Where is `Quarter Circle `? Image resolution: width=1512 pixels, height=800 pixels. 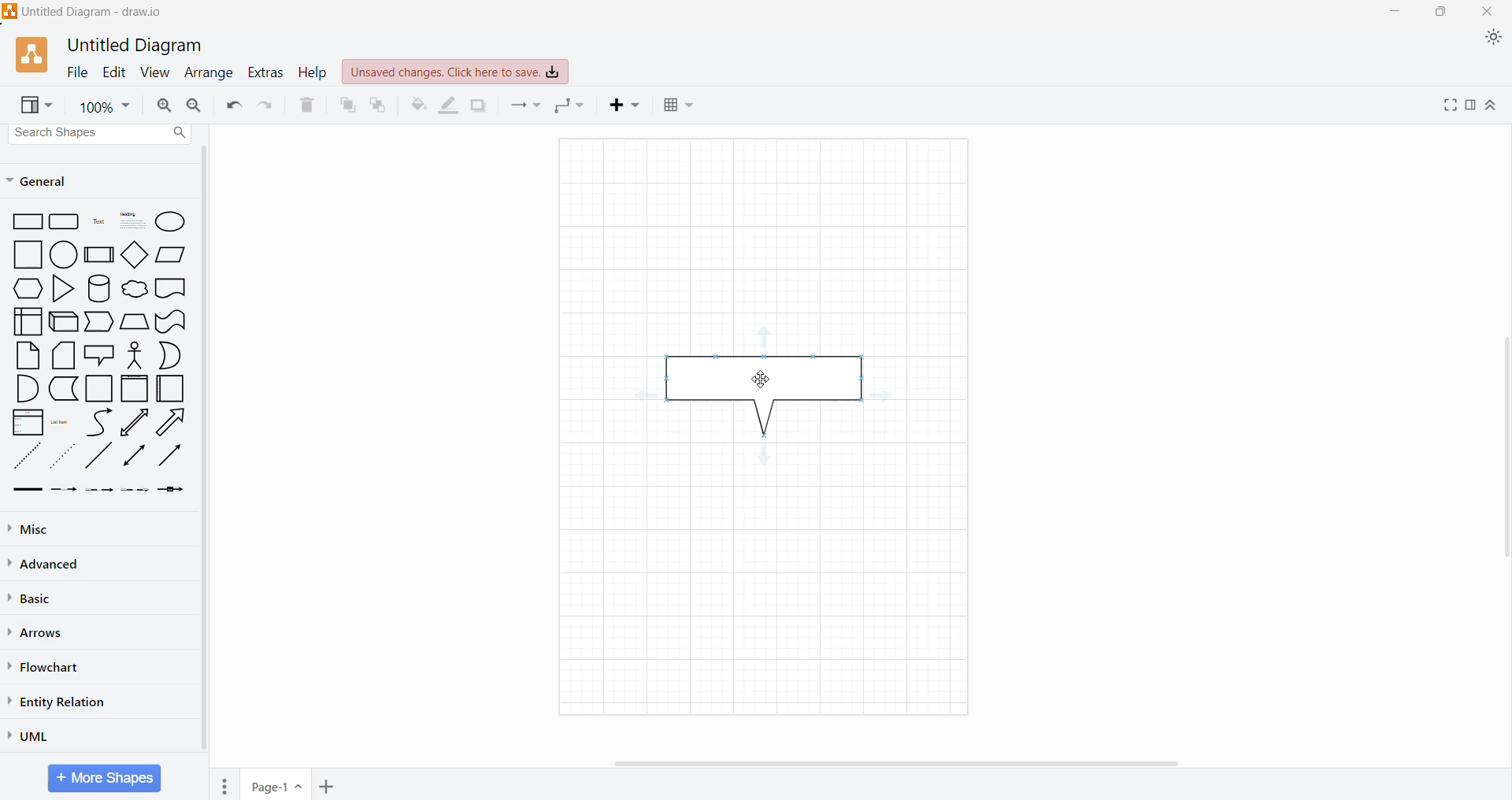
Quarter Circle  is located at coordinates (26, 388).